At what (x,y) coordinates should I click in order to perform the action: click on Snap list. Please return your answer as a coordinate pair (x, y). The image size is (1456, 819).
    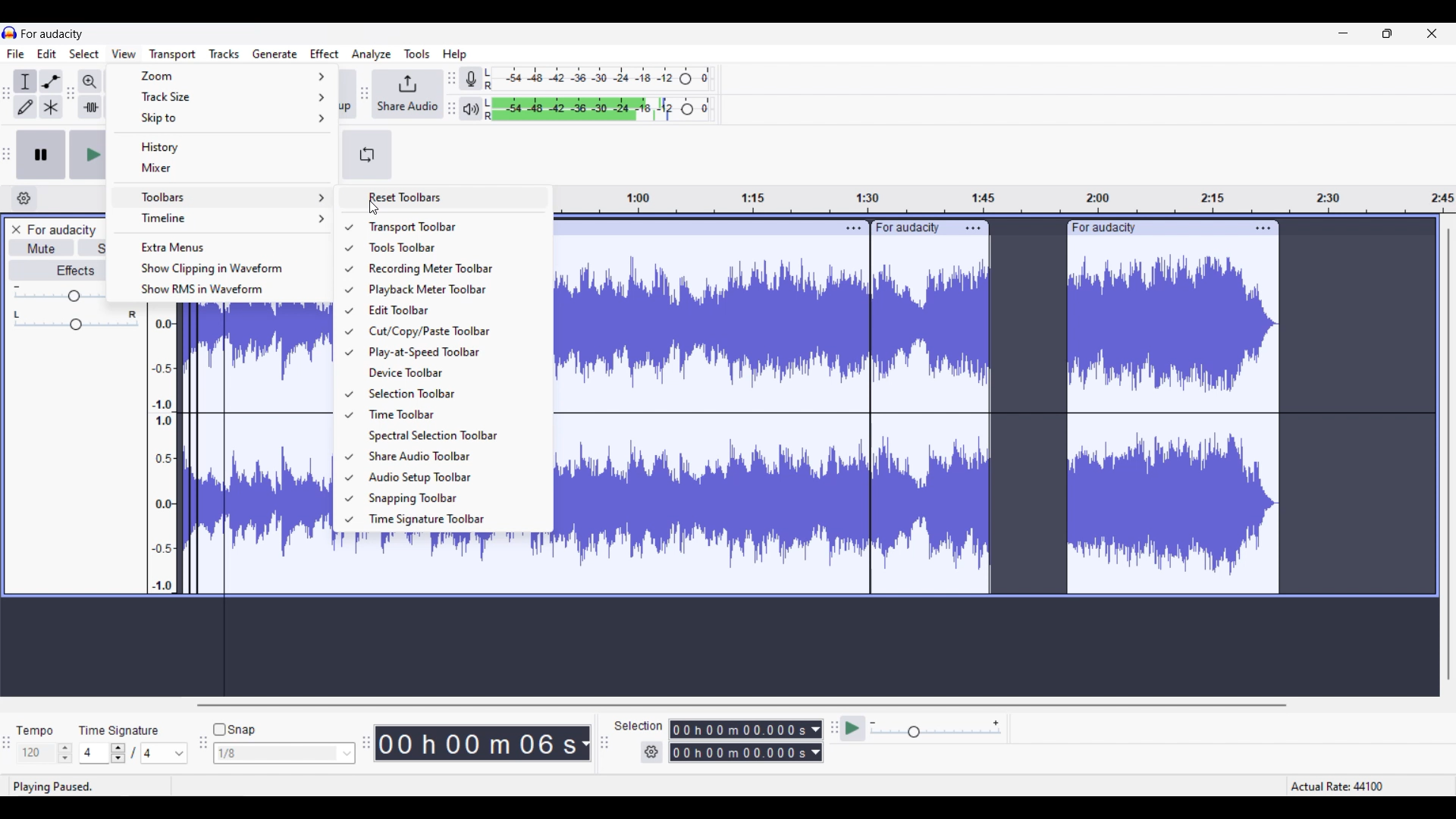
    Looking at the image, I should click on (284, 754).